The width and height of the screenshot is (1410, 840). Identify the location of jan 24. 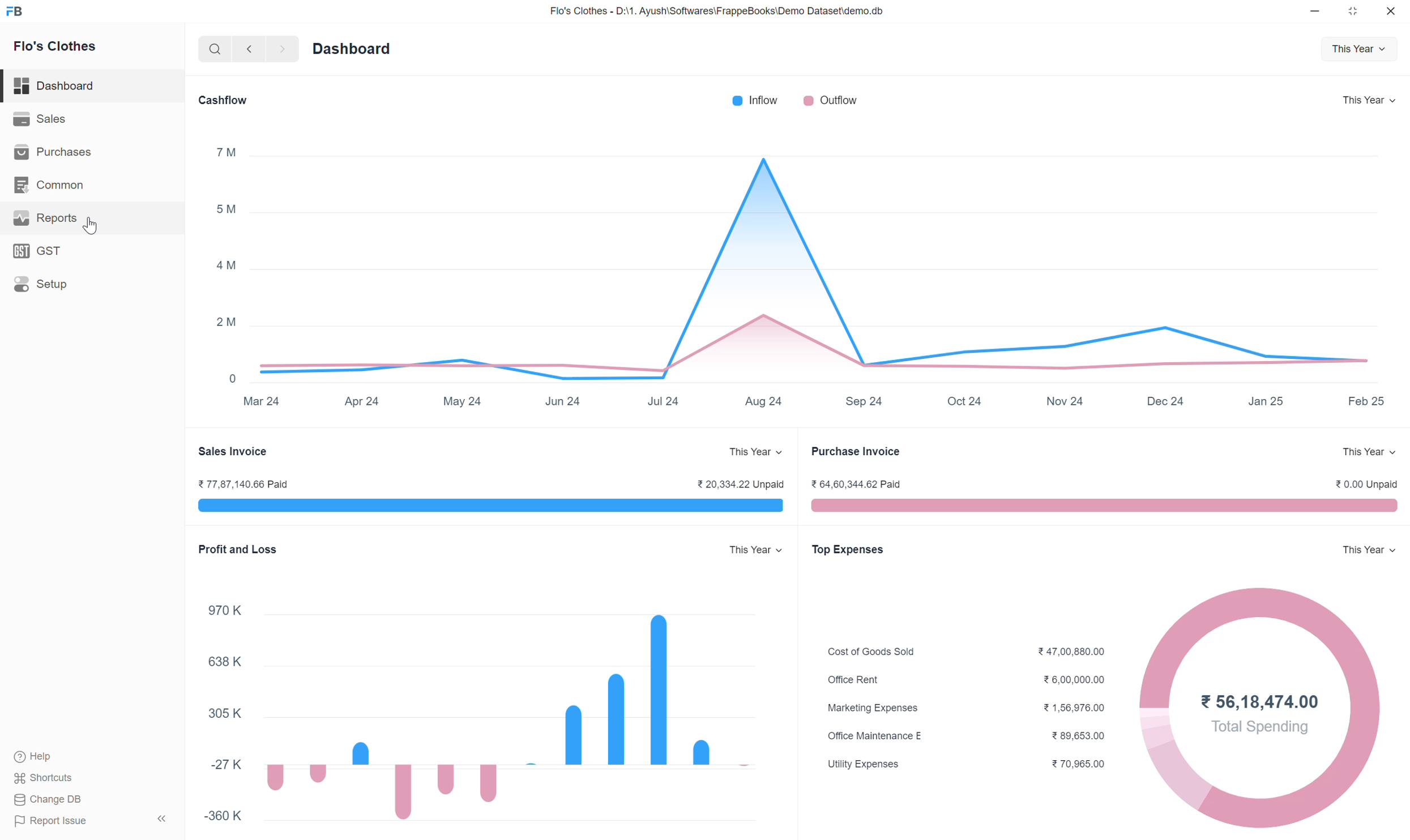
(1266, 402).